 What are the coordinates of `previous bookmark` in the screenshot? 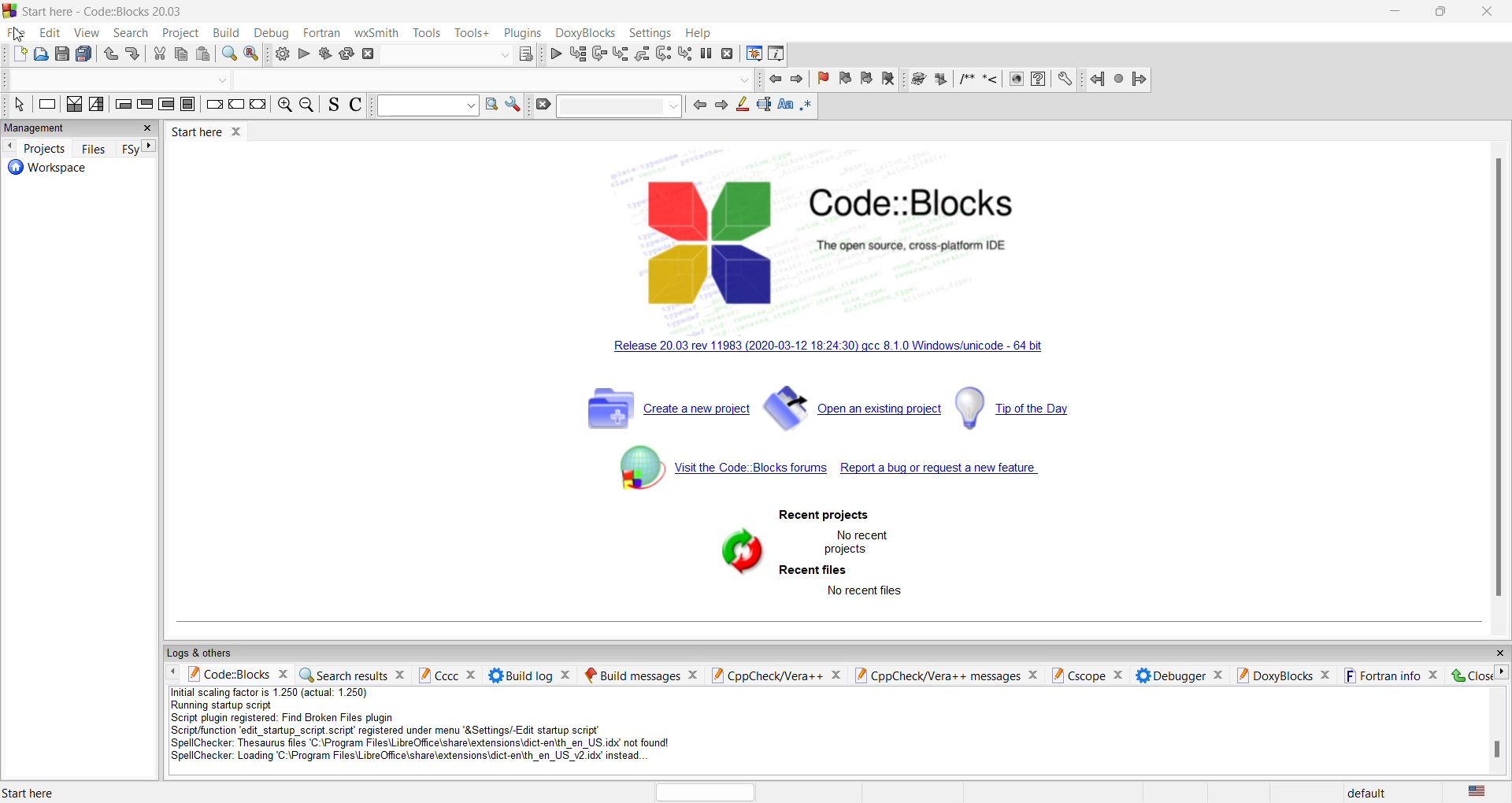 It's located at (844, 80).